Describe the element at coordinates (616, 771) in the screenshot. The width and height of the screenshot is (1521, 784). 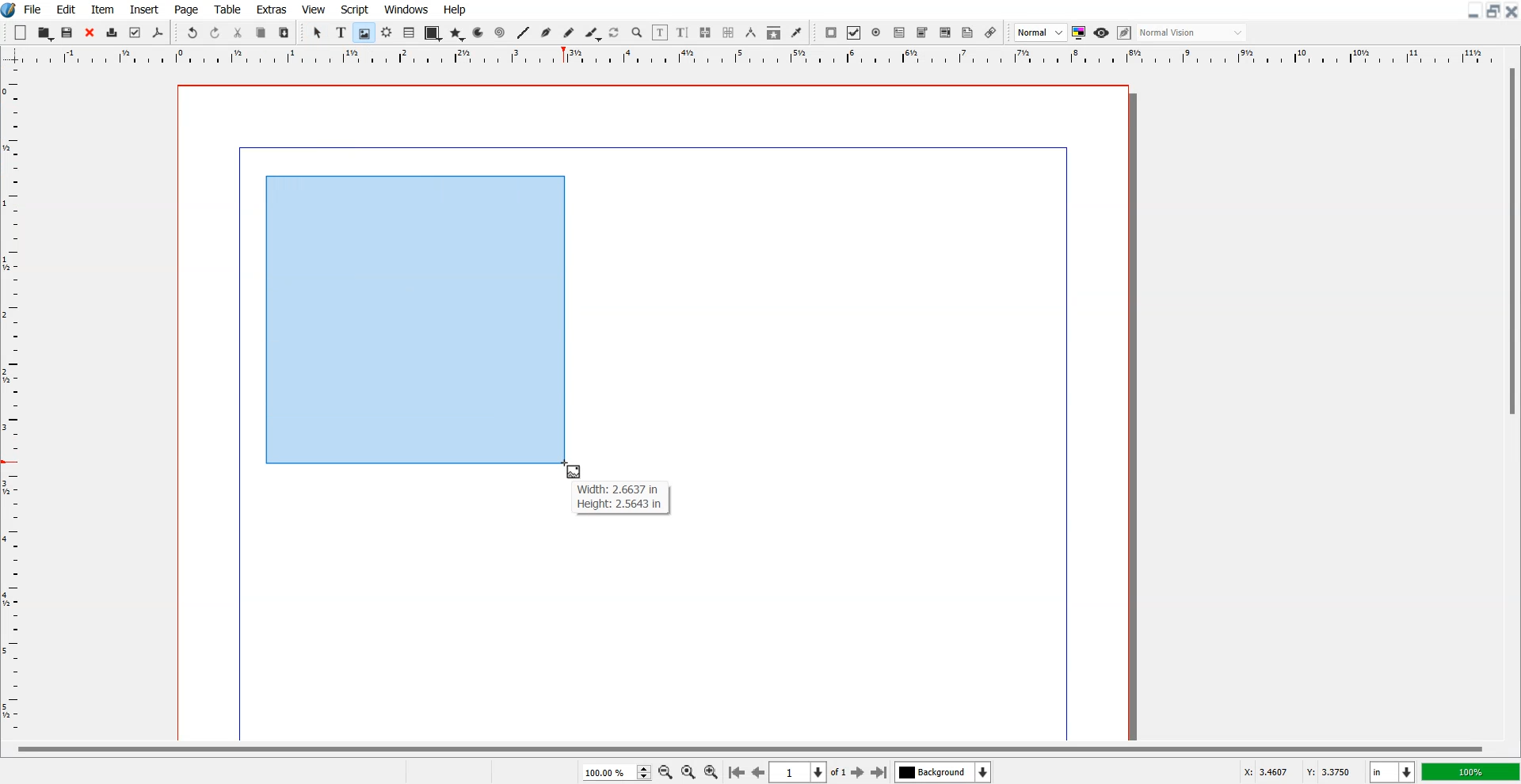
I see `Select Zoom Level` at that location.